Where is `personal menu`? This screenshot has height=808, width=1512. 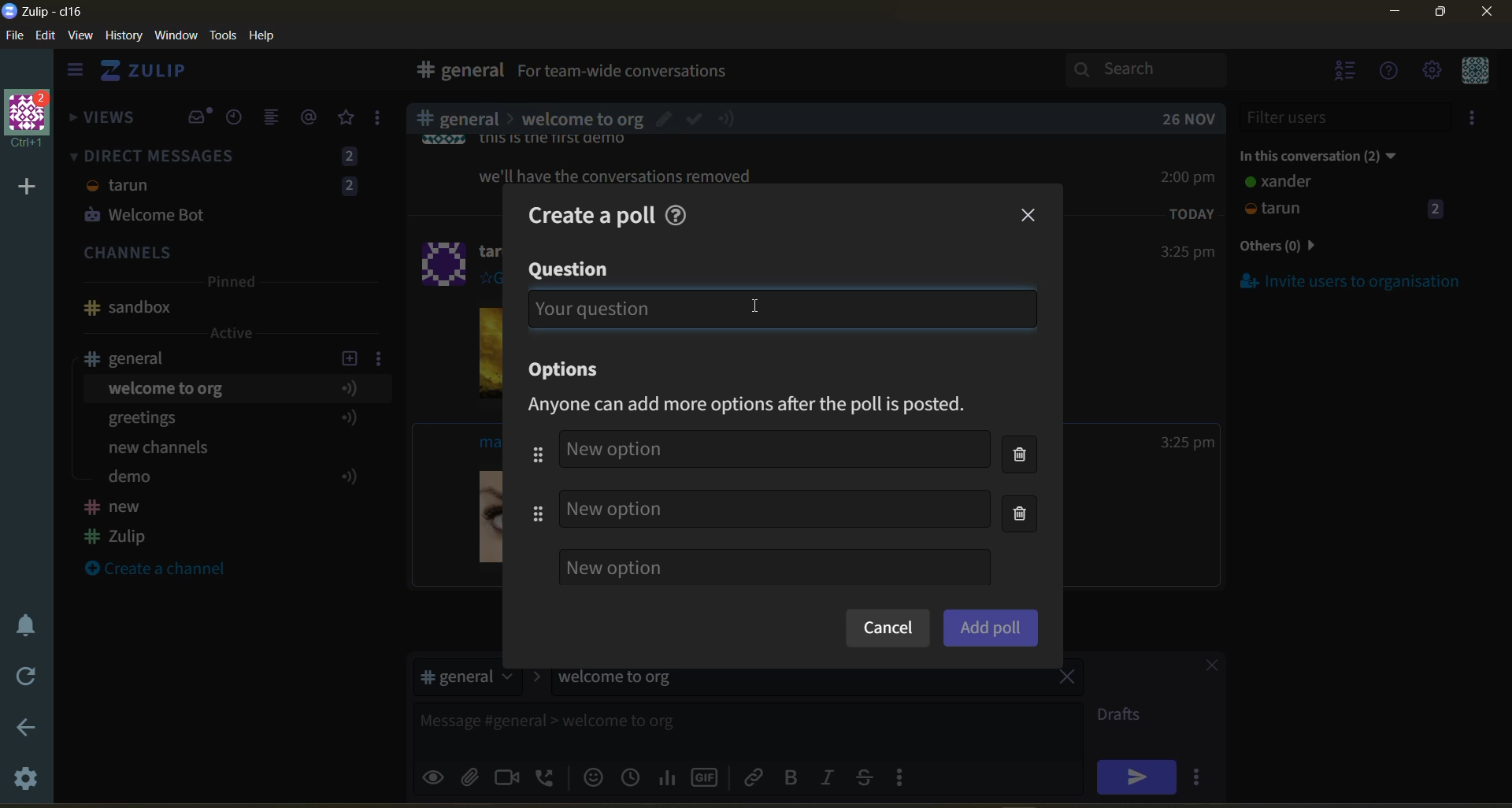
personal menu is located at coordinates (1473, 72).